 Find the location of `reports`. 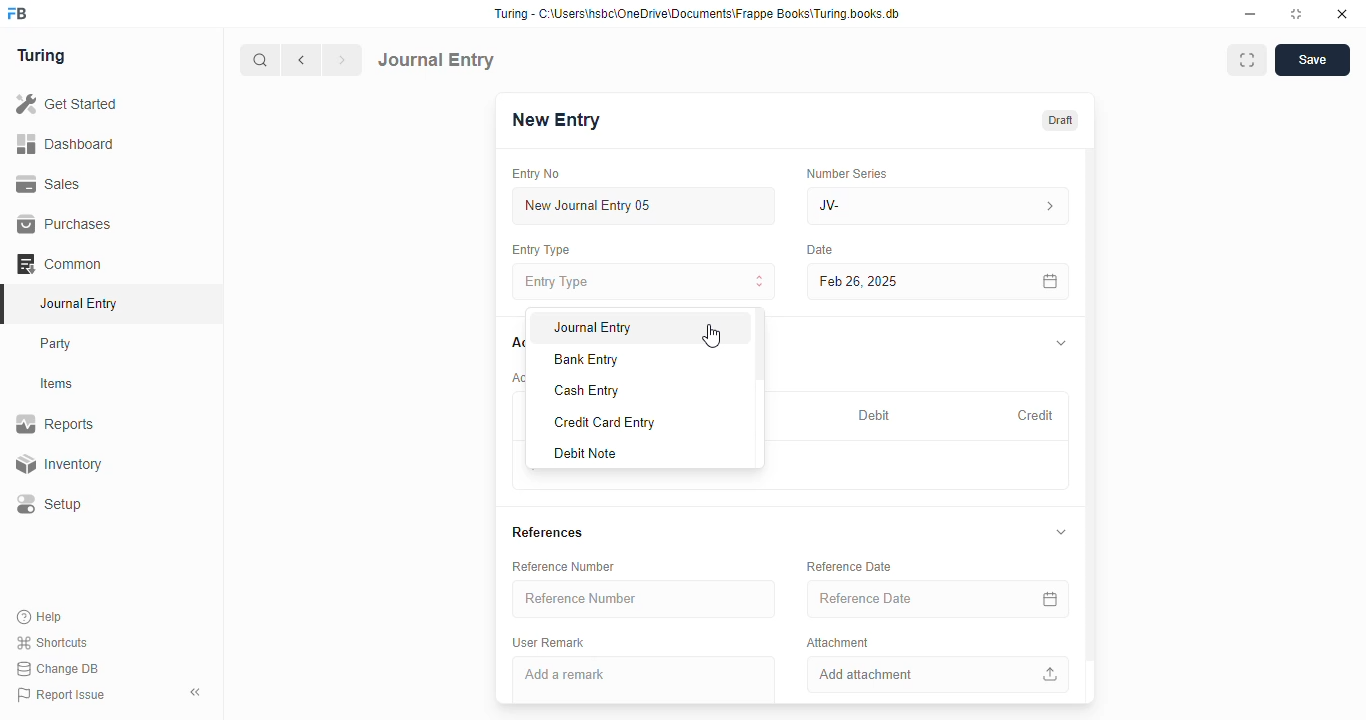

reports is located at coordinates (56, 424).